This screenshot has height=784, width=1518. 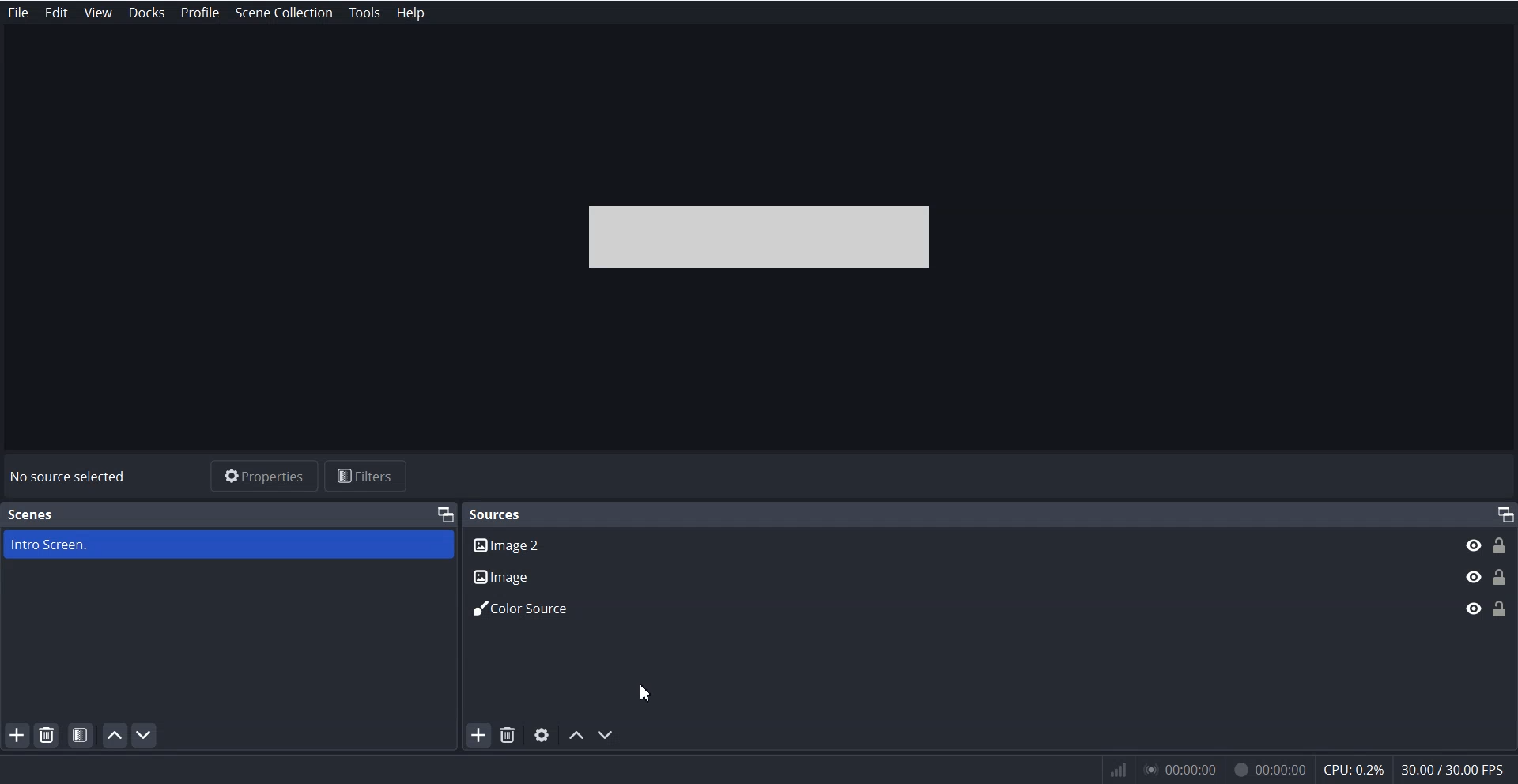 What do you see at coordinates (954, 544) in the screenshot?
I see `Image 2` at bounding box center [954, 544].